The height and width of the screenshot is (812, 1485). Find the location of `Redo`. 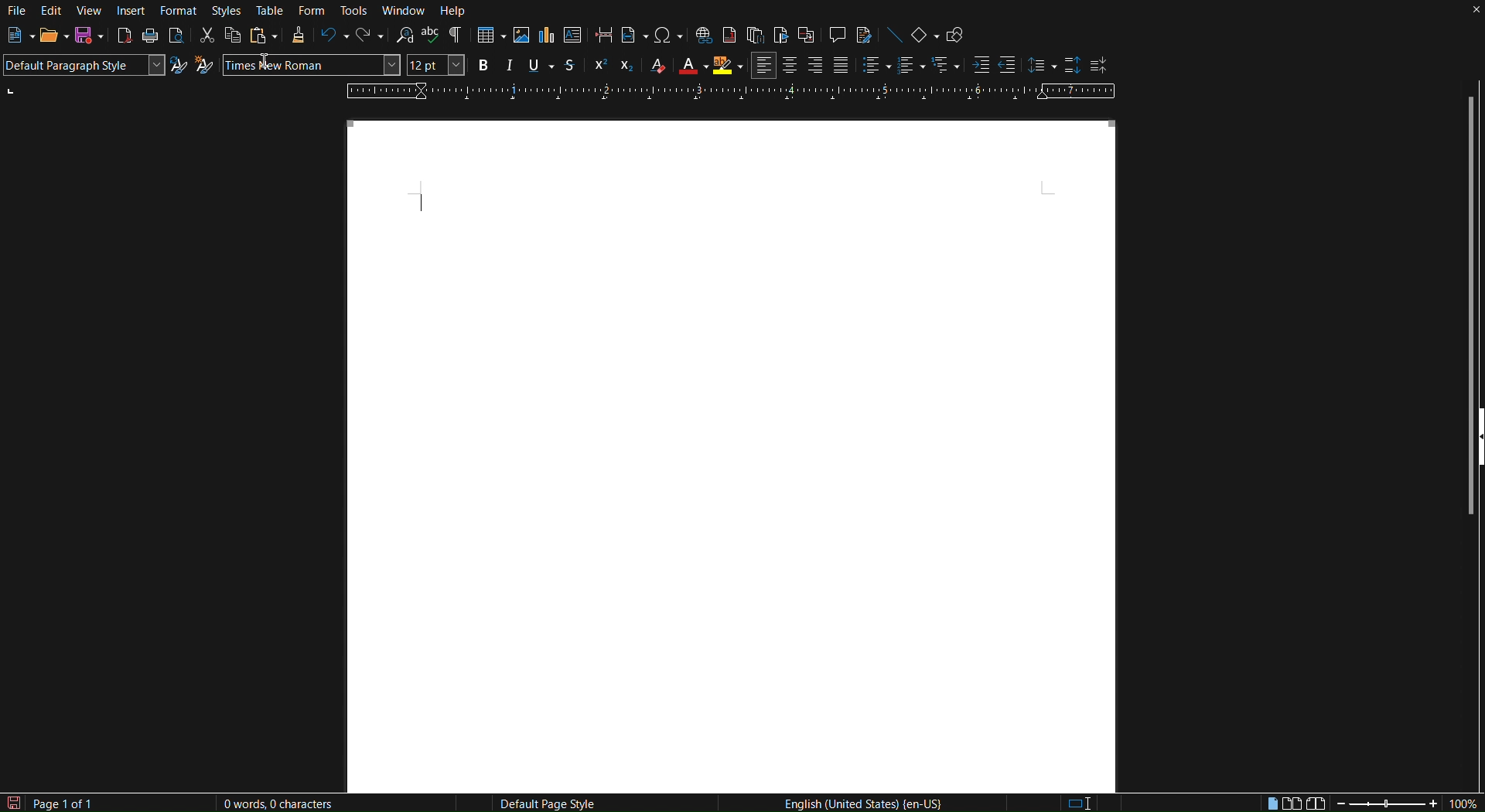

Redo is located at coordinates (367, 38).